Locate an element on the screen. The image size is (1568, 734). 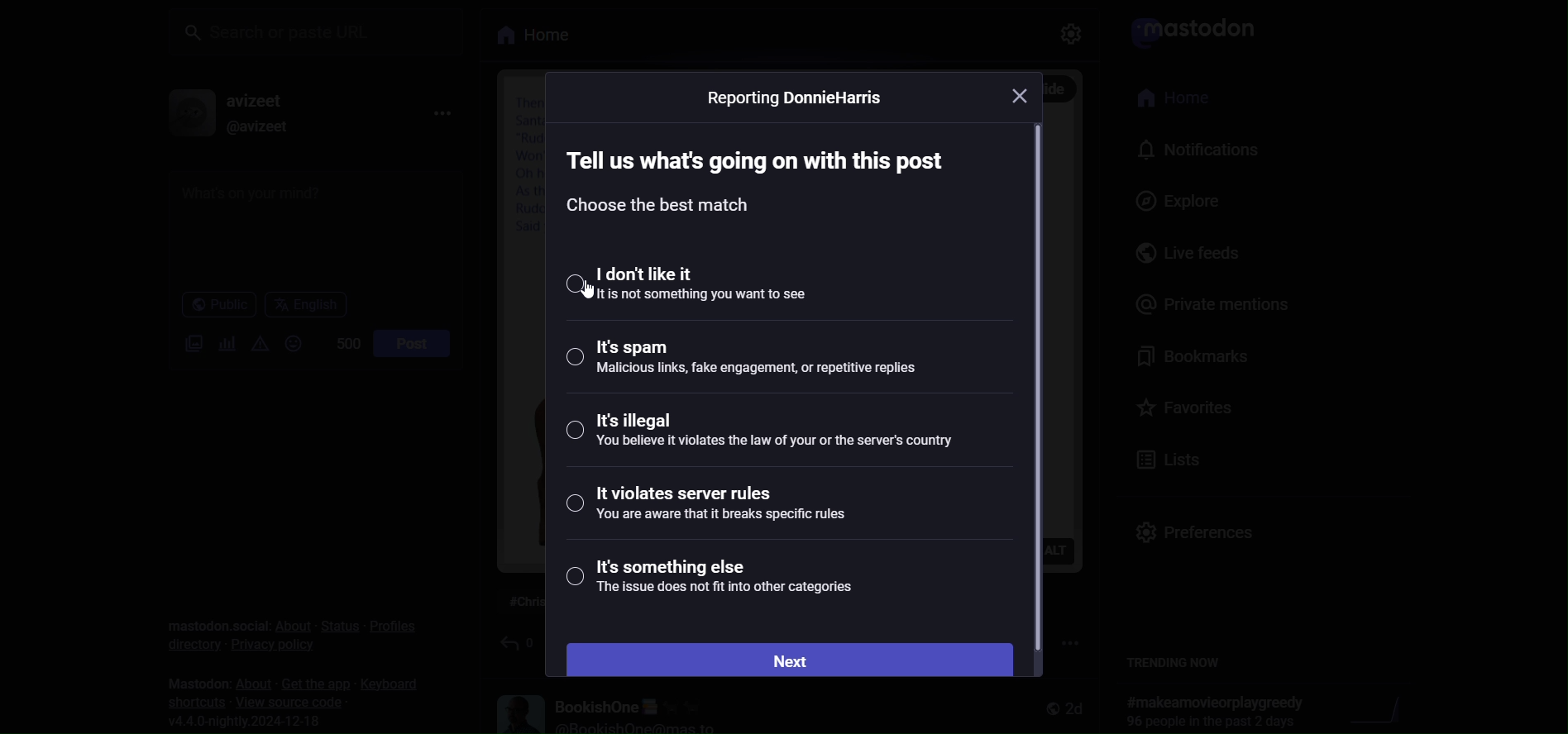
get the app is located at coordinates (309, 683).